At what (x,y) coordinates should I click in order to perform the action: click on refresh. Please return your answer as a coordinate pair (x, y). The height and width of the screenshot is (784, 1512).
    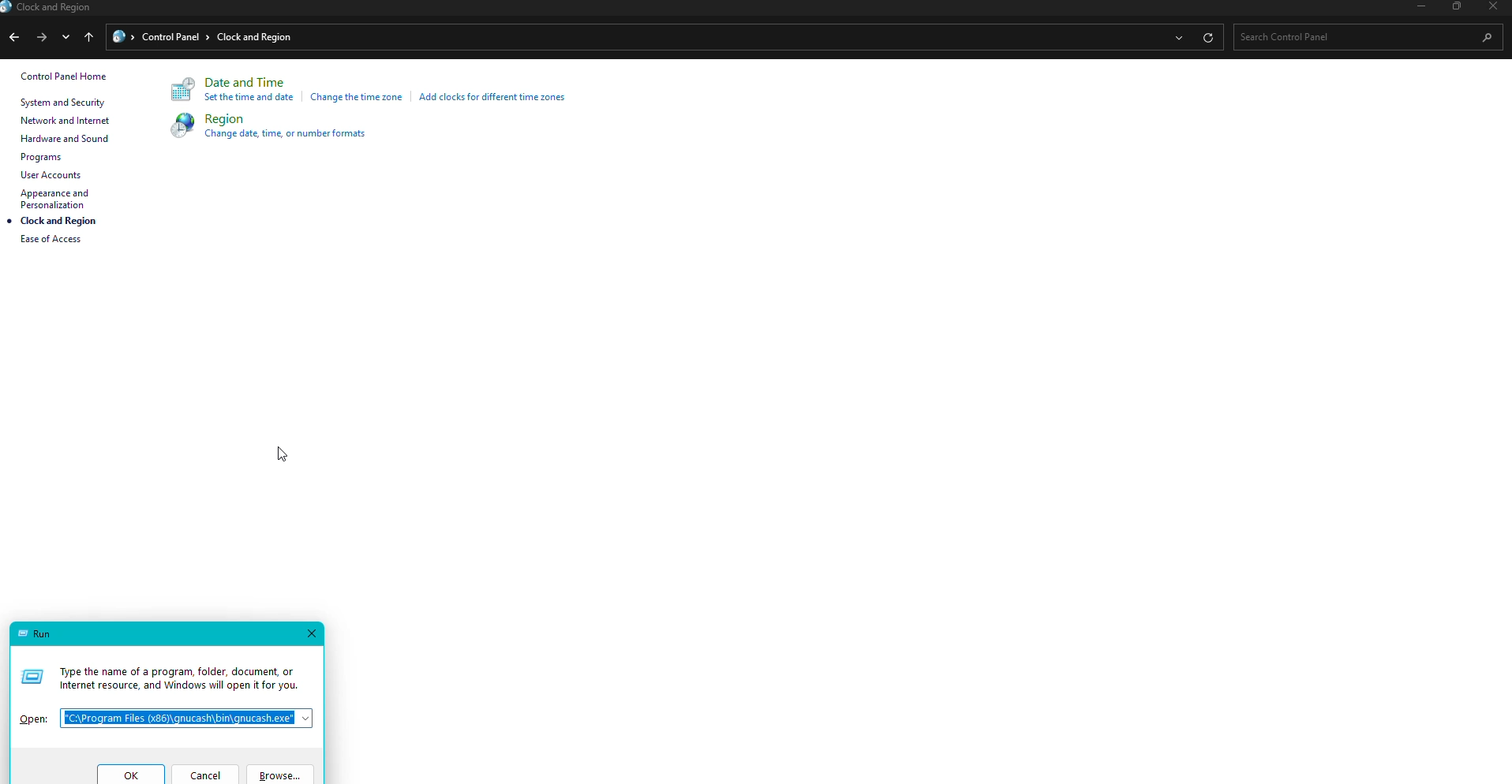
    Looking at the image, I should click on (1207, 37).